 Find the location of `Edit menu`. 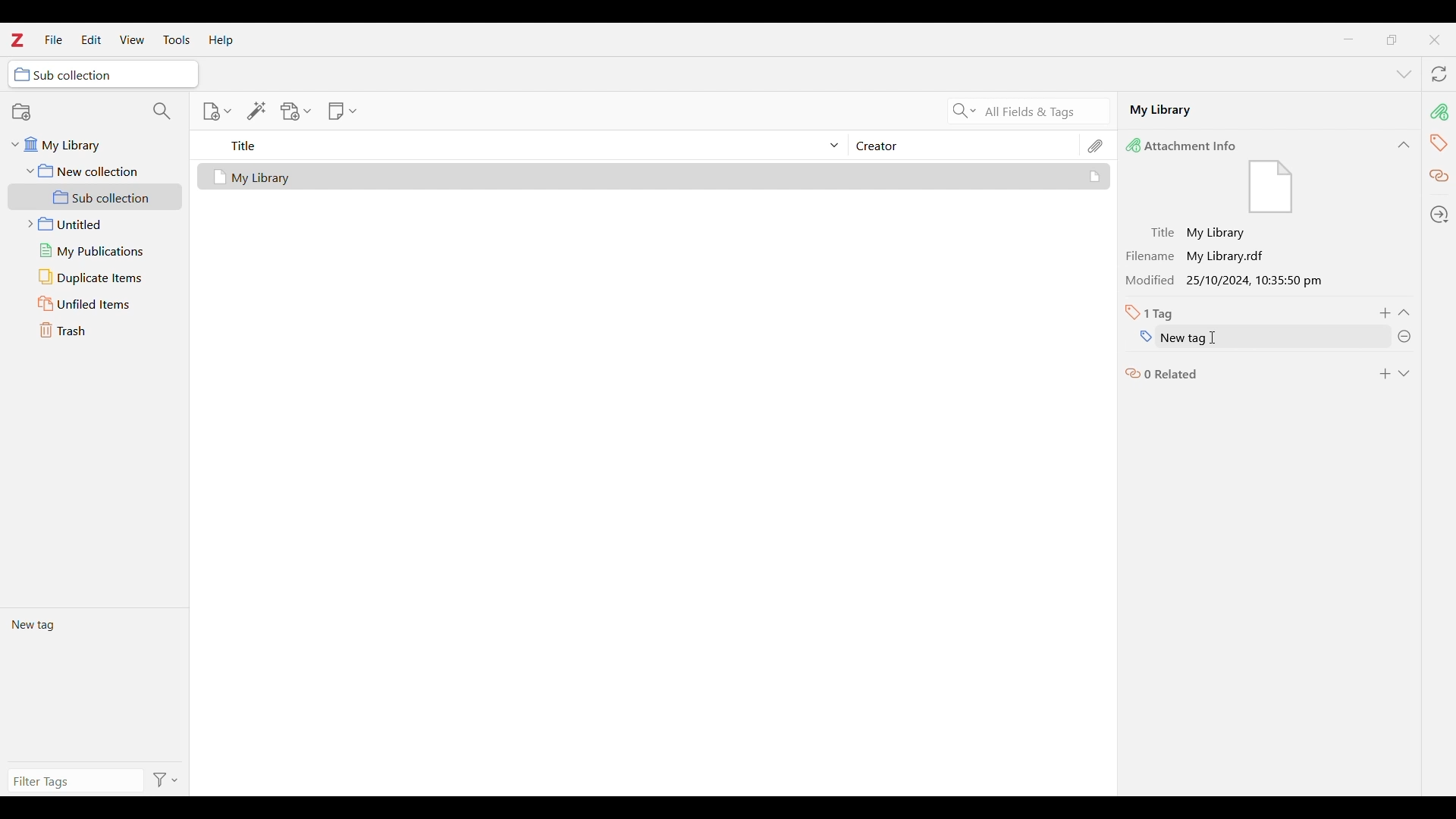

Edit menu is located at coordinates (91, 39).